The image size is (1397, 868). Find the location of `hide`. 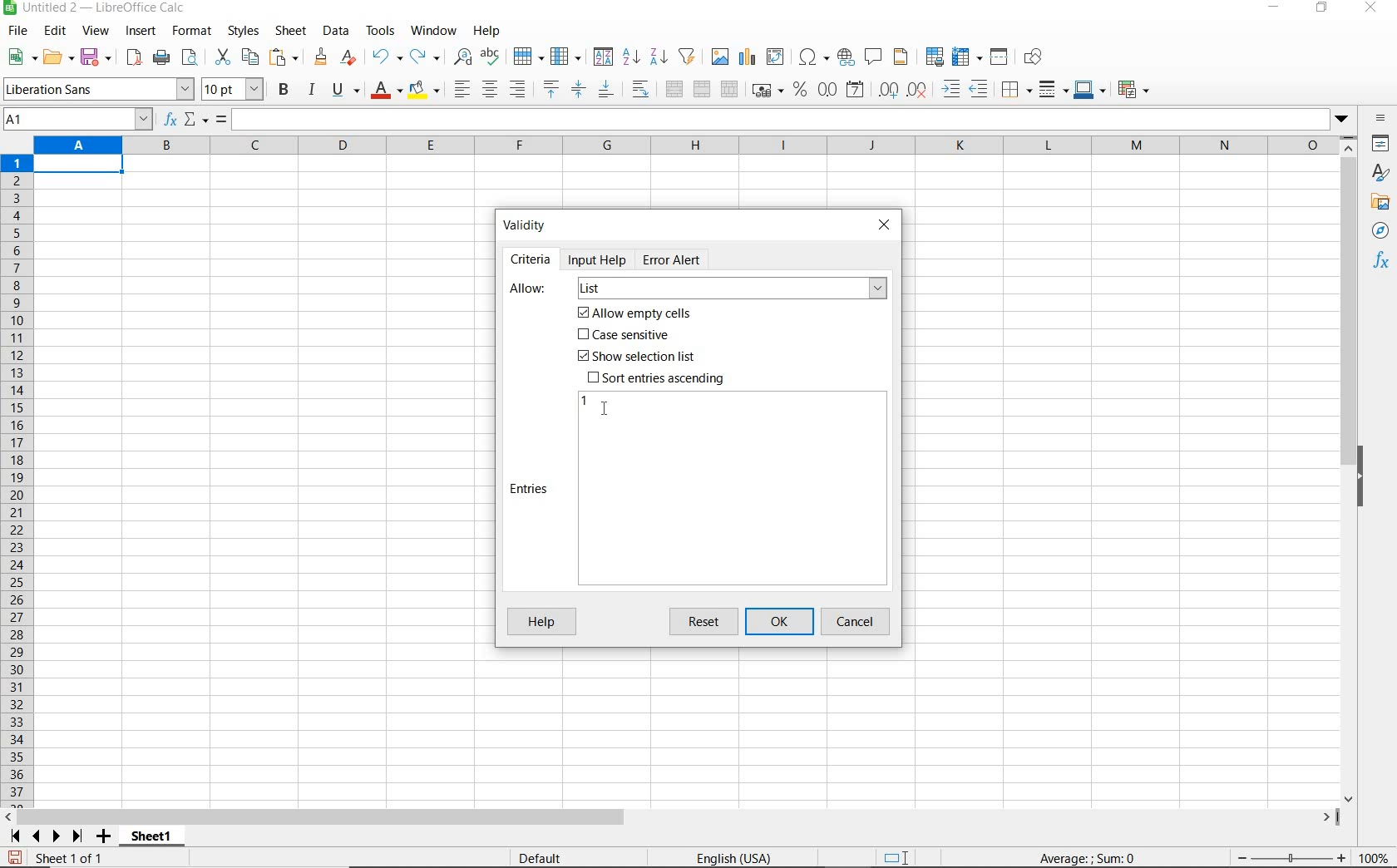

hide is located at coordinates (1362, 479).